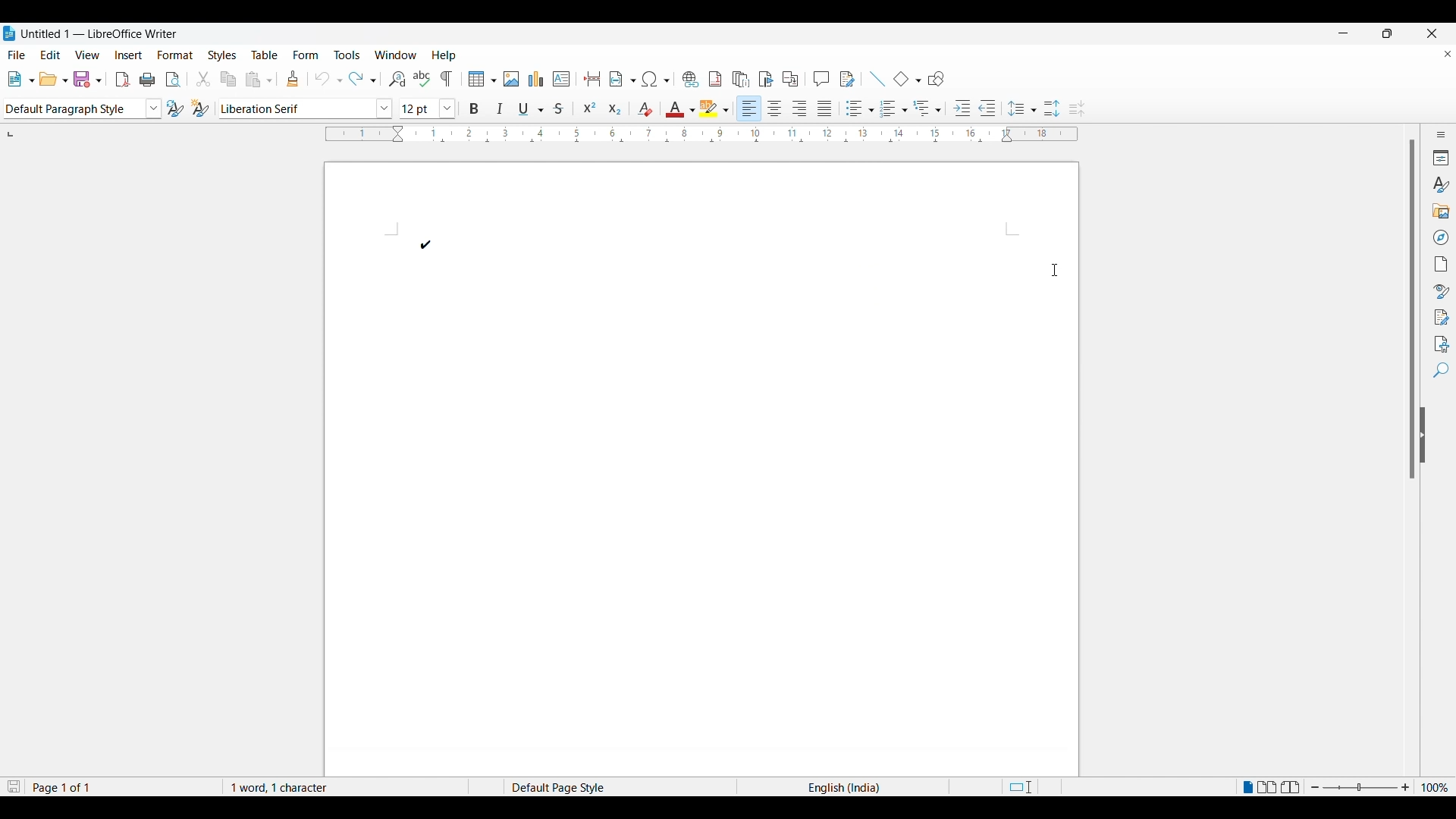 The height and width of the screenshot is (819, 1456). I want to click on insert hyperlink, so click(689, 78).